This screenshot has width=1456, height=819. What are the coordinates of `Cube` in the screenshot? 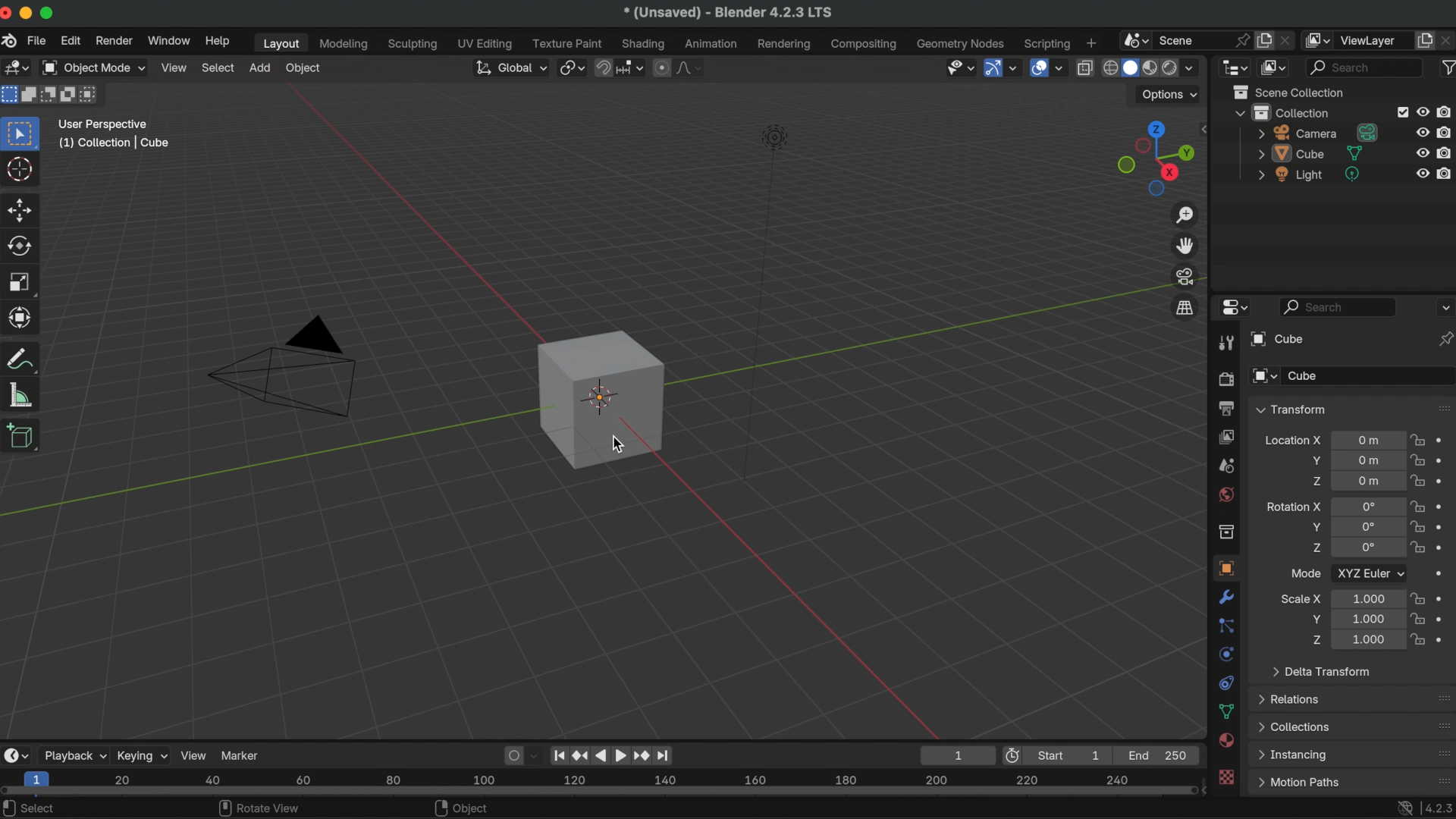 It's located at (1370, 376).